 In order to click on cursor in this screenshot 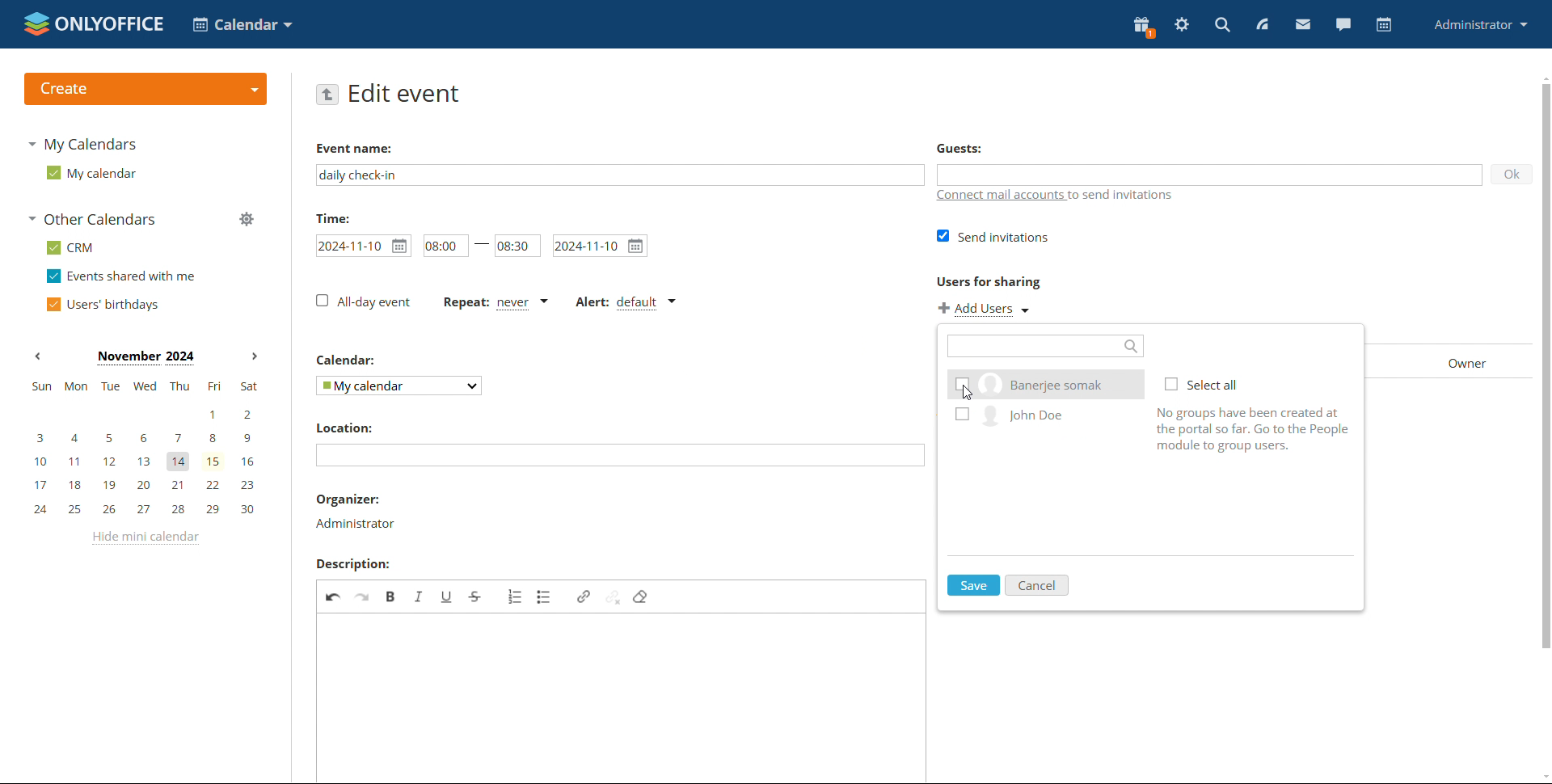, I will do `click(968, 394)`.